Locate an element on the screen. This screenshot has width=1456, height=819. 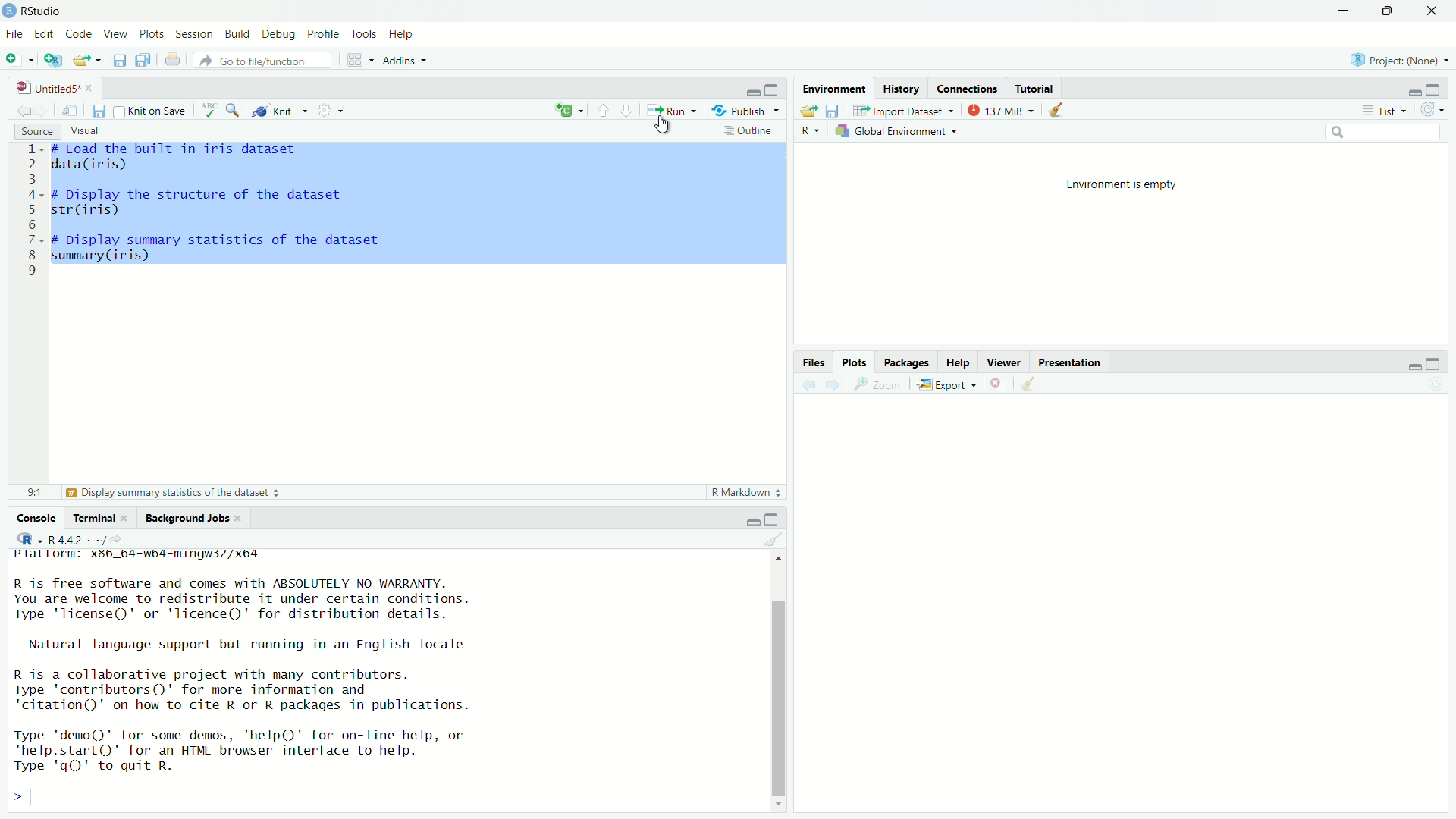
Viewer is located at coordinates (1003, 360).